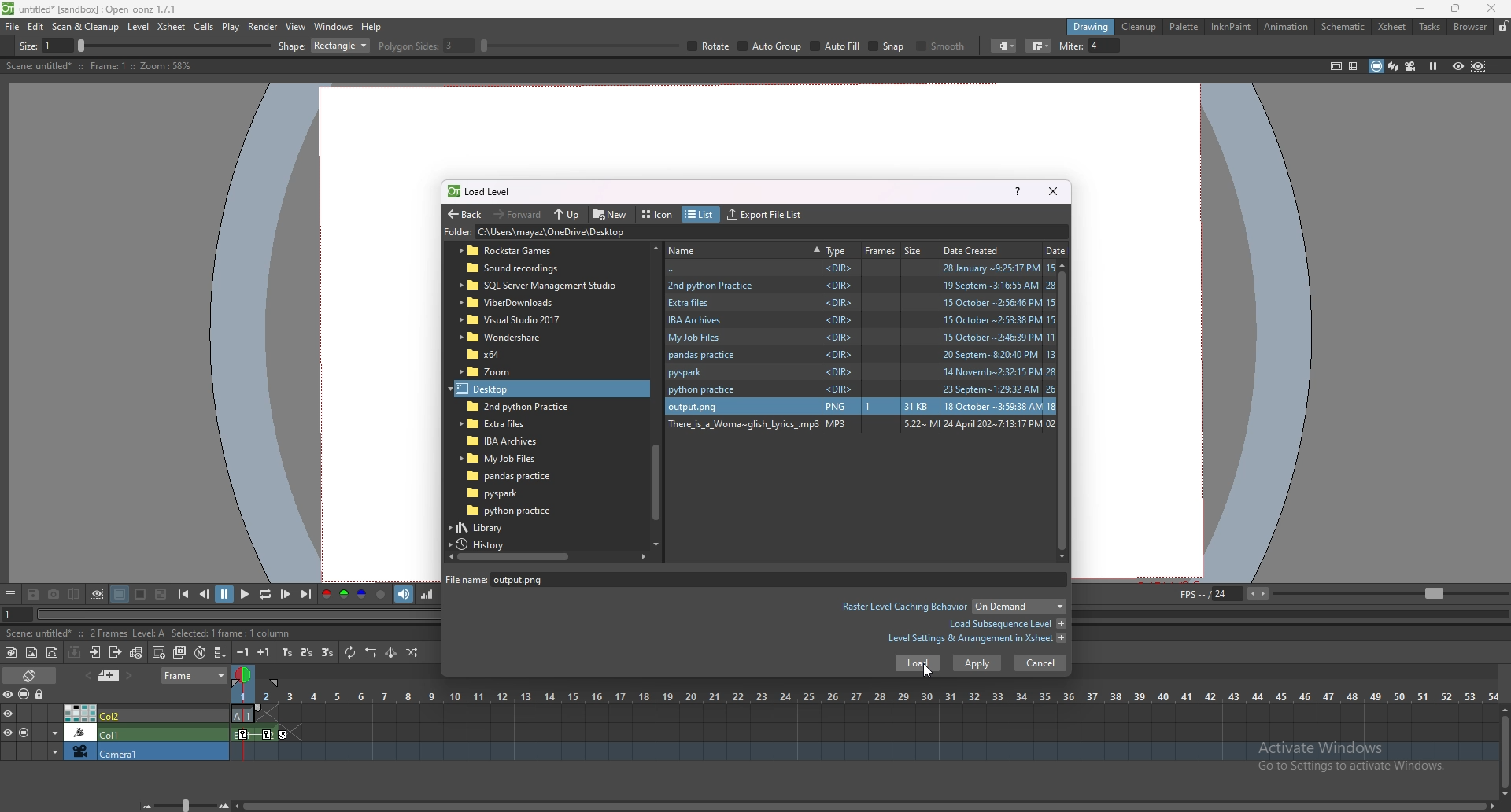  I want to click on safe area, so click(1336, 65).